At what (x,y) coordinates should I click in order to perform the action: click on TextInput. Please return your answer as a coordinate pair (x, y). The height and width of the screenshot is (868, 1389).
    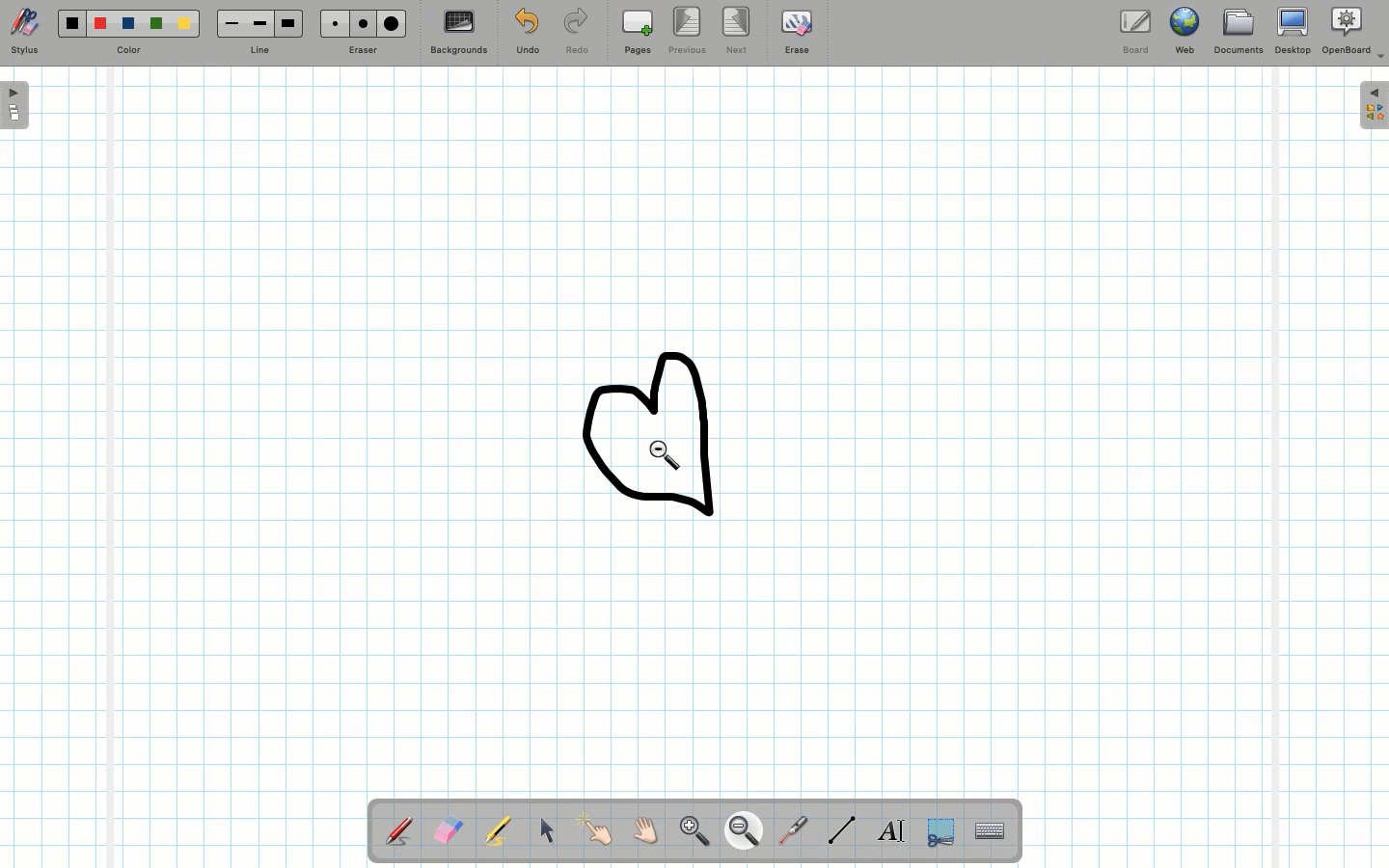
    Looking at the image, I should click on (989, 829).